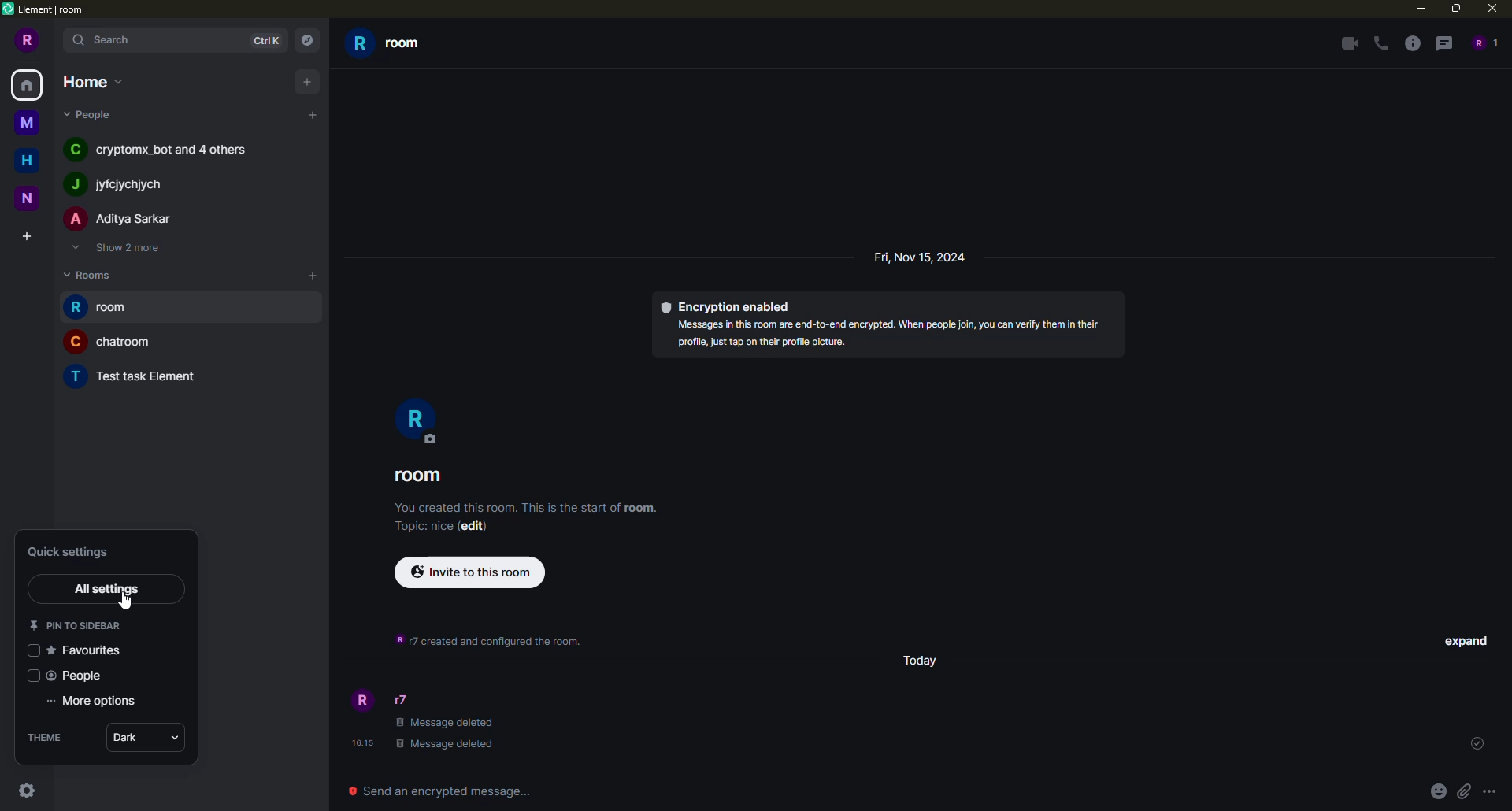 Image resolution: width=1512 pixels, height=811 pixels. Describe the element at coordinates (1466, 640) in the screenshot. I see `expand` at that location.